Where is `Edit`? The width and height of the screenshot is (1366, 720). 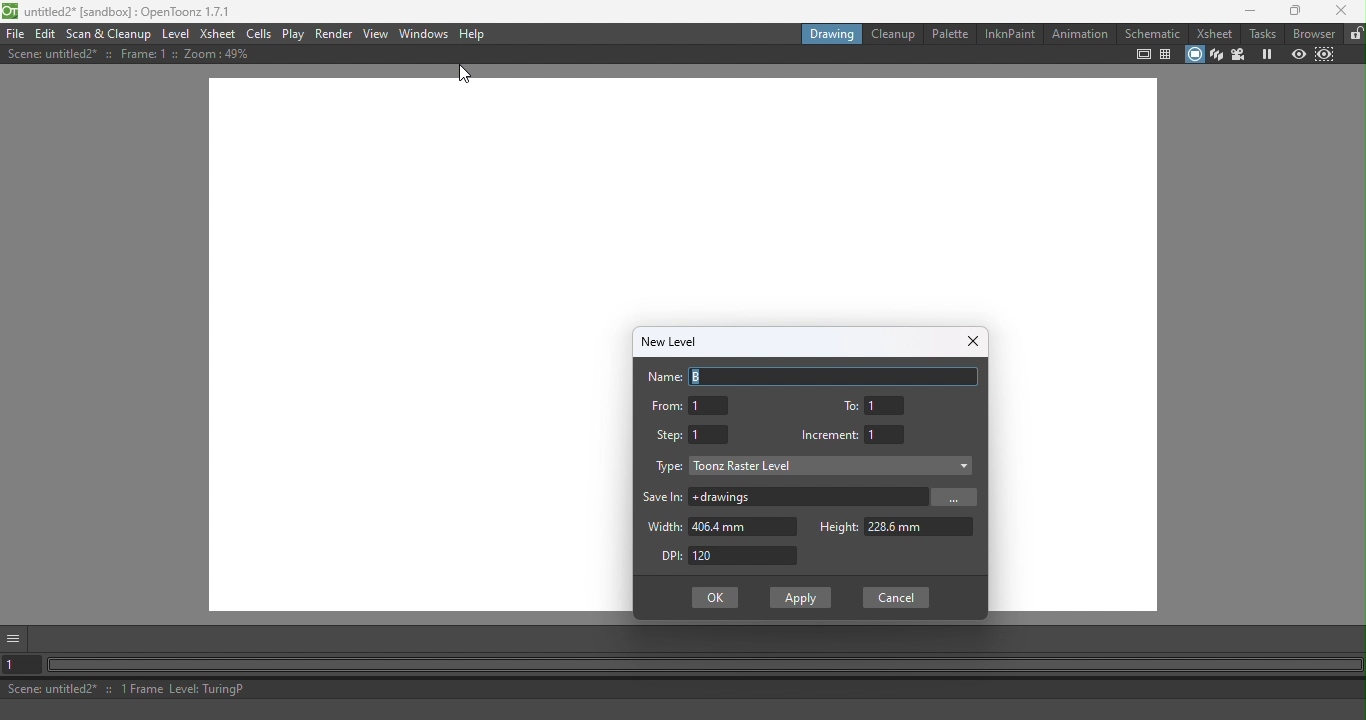 Edit is located at coordinates (47, 33).